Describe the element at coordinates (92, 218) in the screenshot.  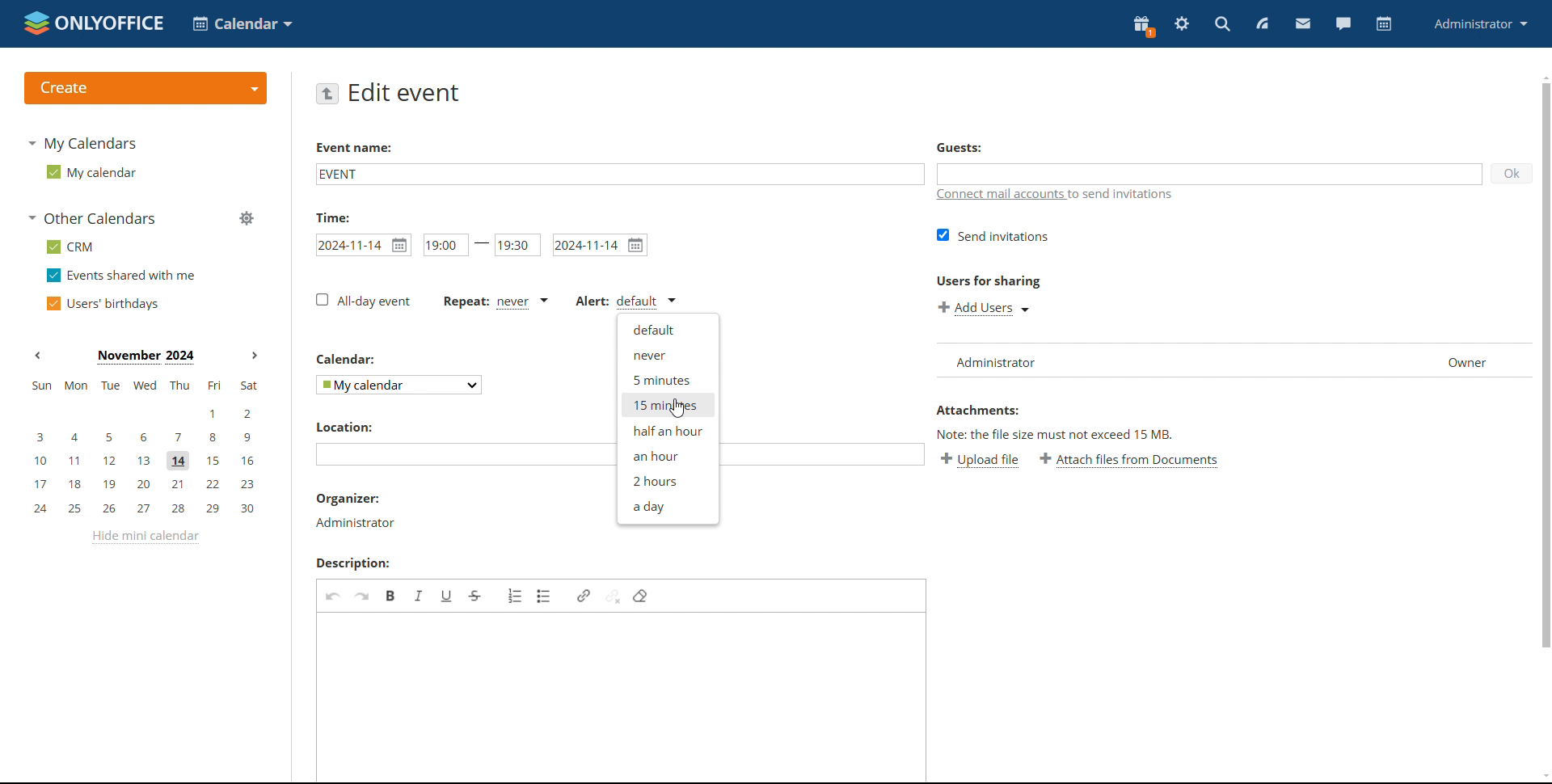
I see `other calendars` at that location.